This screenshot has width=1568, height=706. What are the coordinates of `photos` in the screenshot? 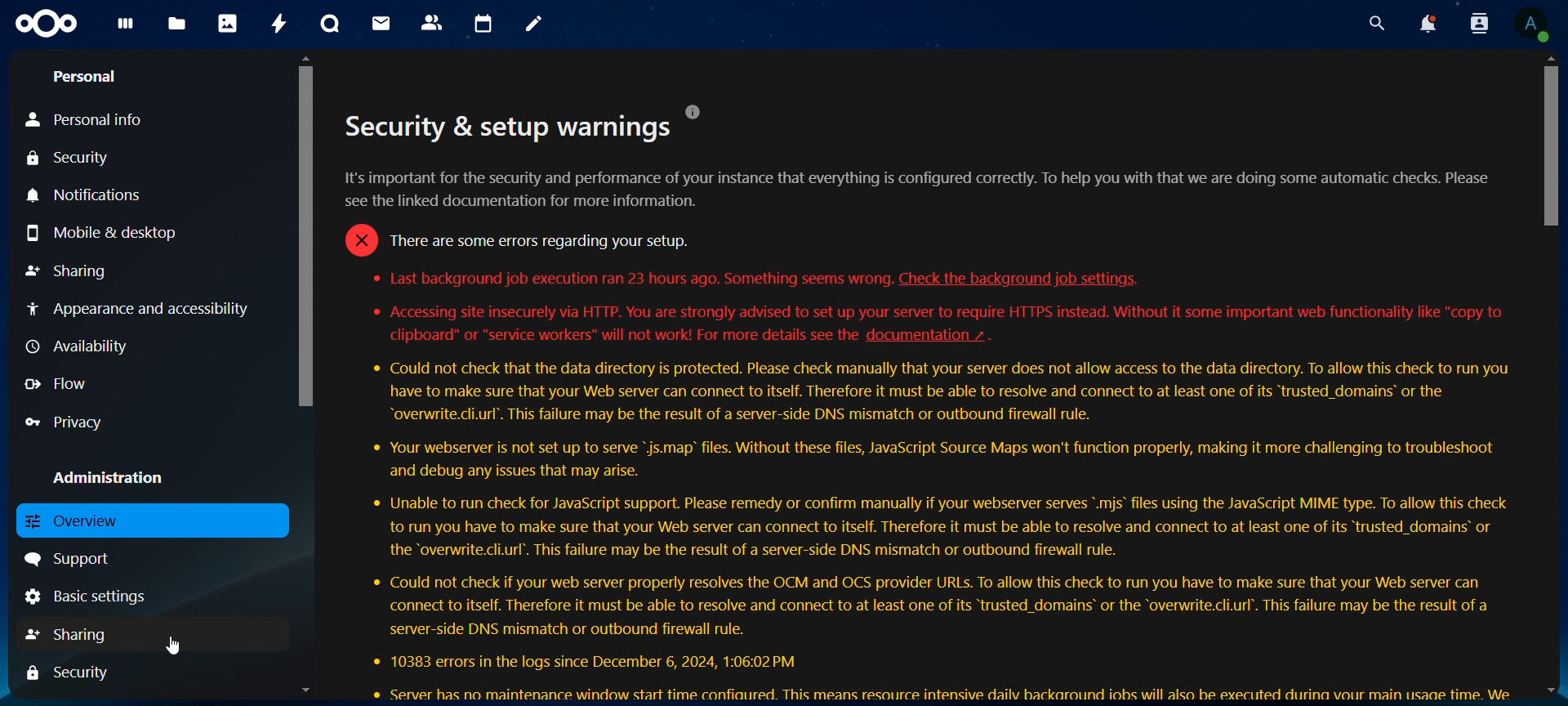 It's located at (227, 22).